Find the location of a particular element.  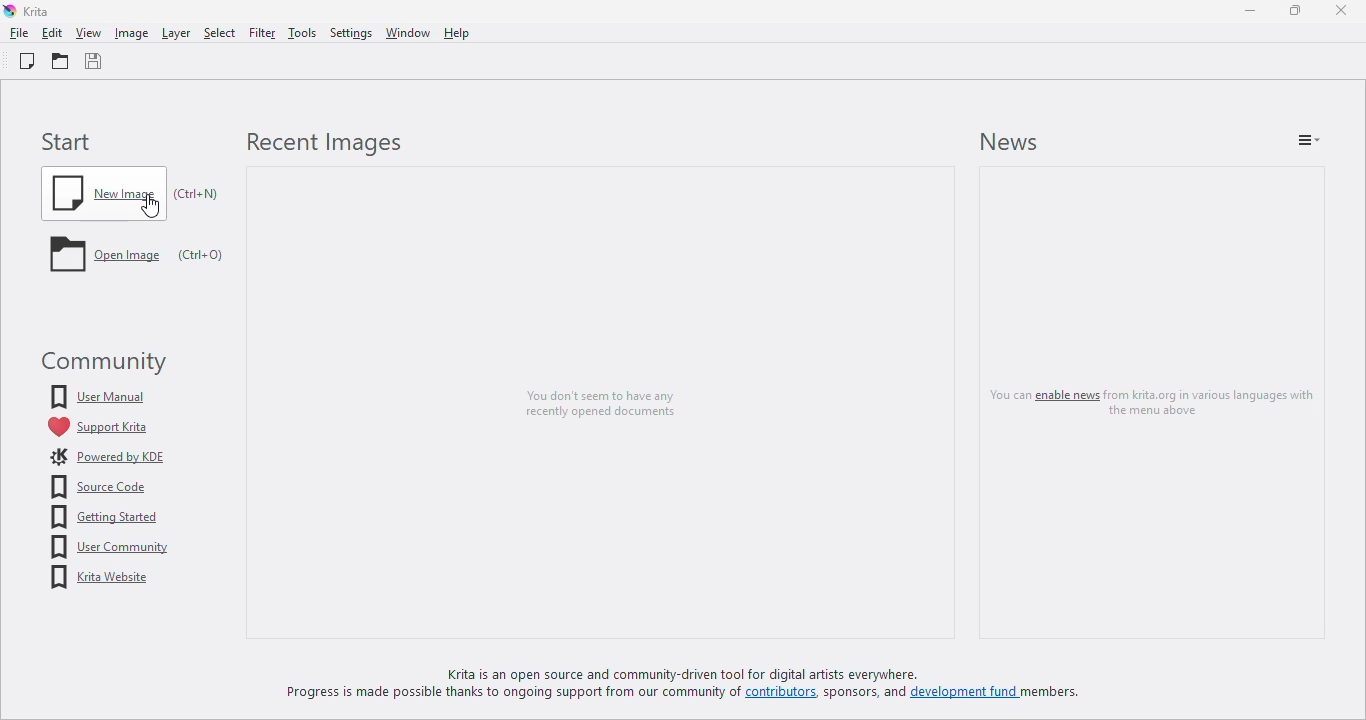

tools is located at coordinates (301, 32).